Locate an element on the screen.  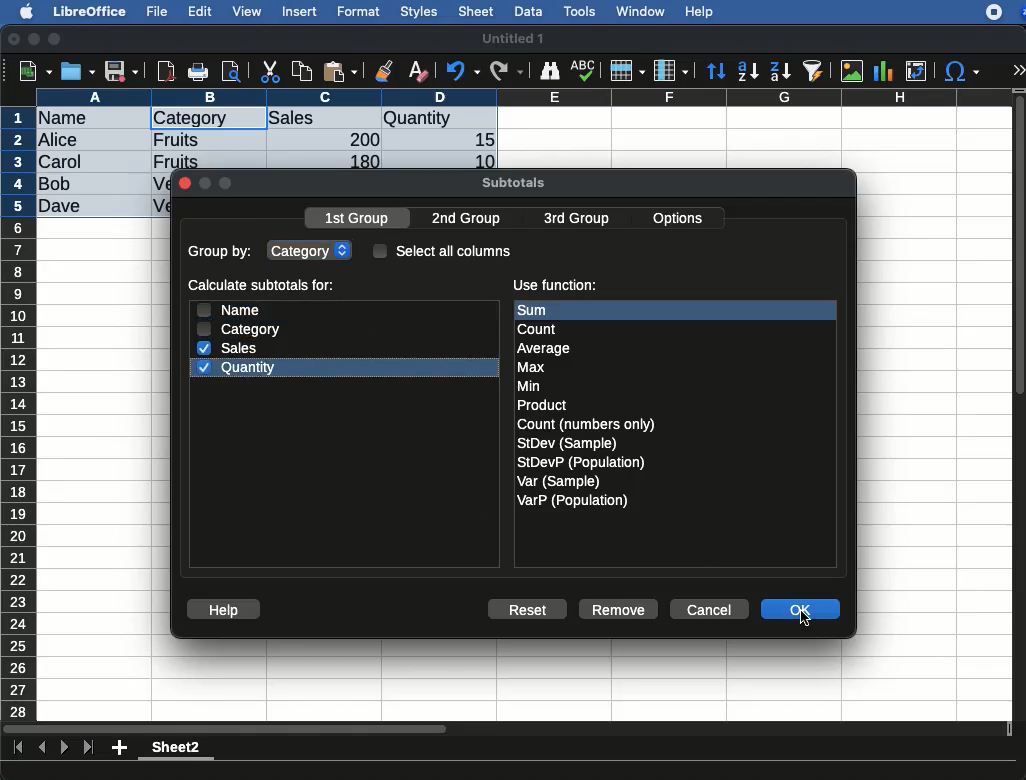
last sheet is located at coordinates (88, 748).